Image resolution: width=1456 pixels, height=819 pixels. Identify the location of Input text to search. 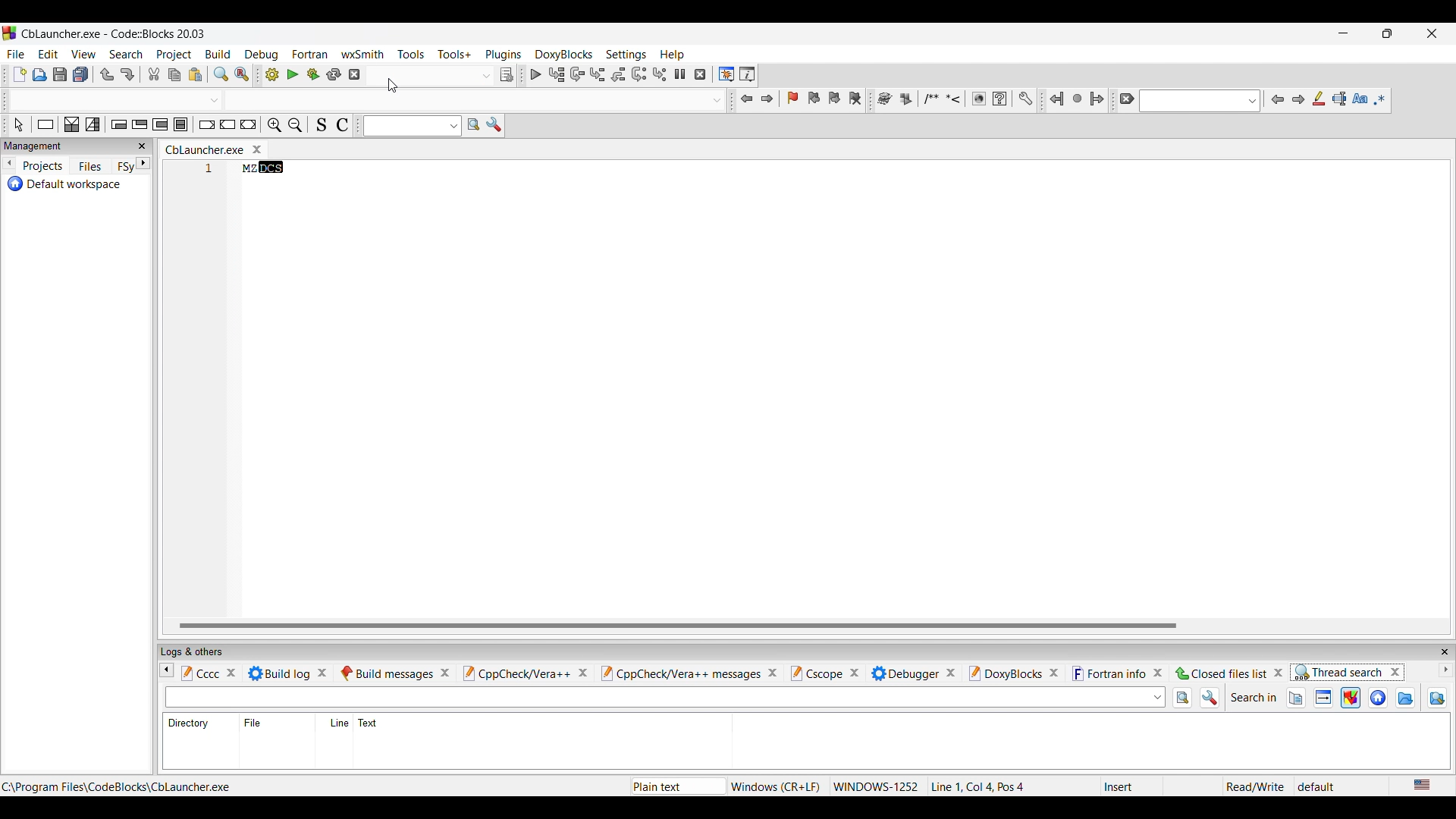
(404, 126).